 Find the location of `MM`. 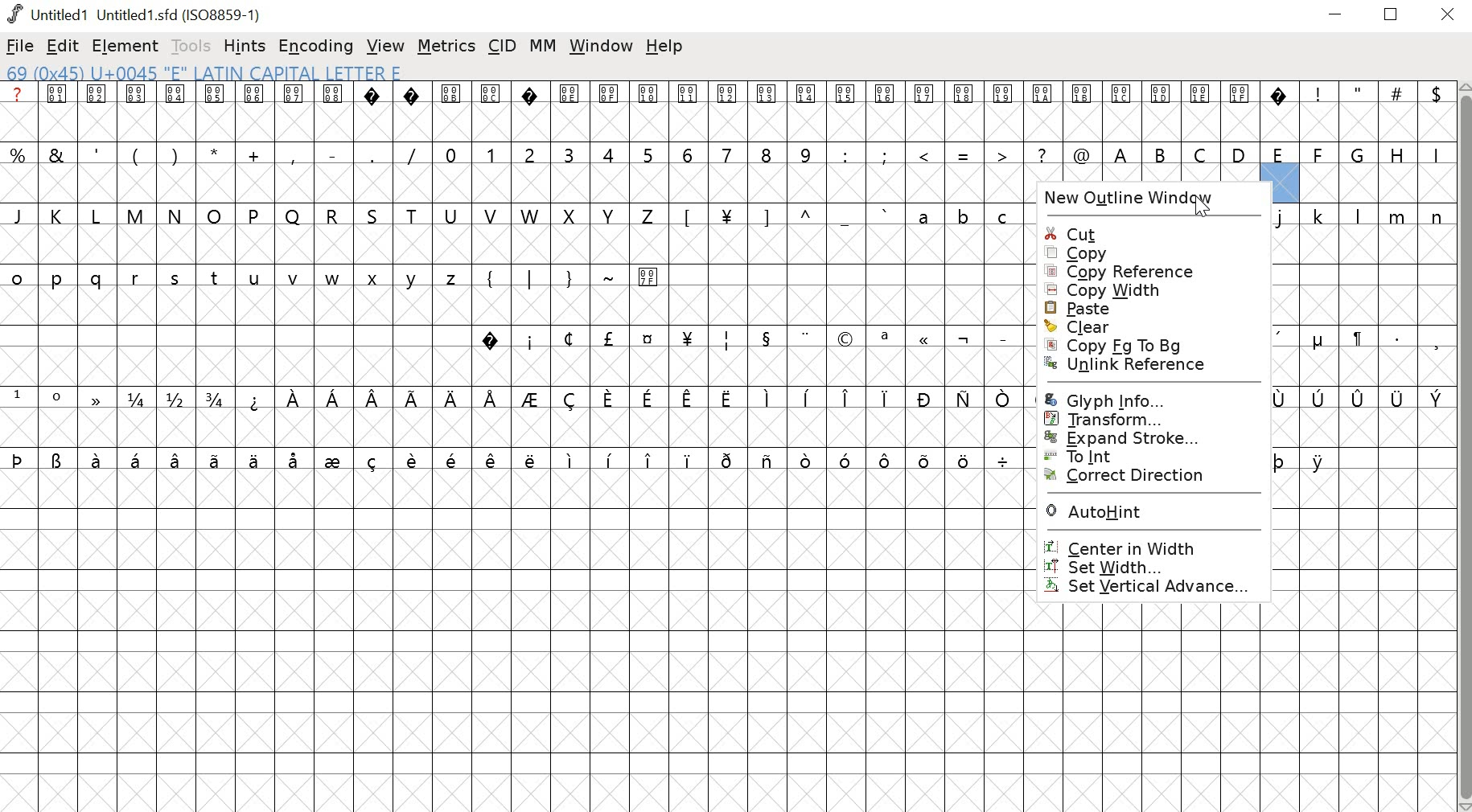

MM is located at coordinates (543, 47).